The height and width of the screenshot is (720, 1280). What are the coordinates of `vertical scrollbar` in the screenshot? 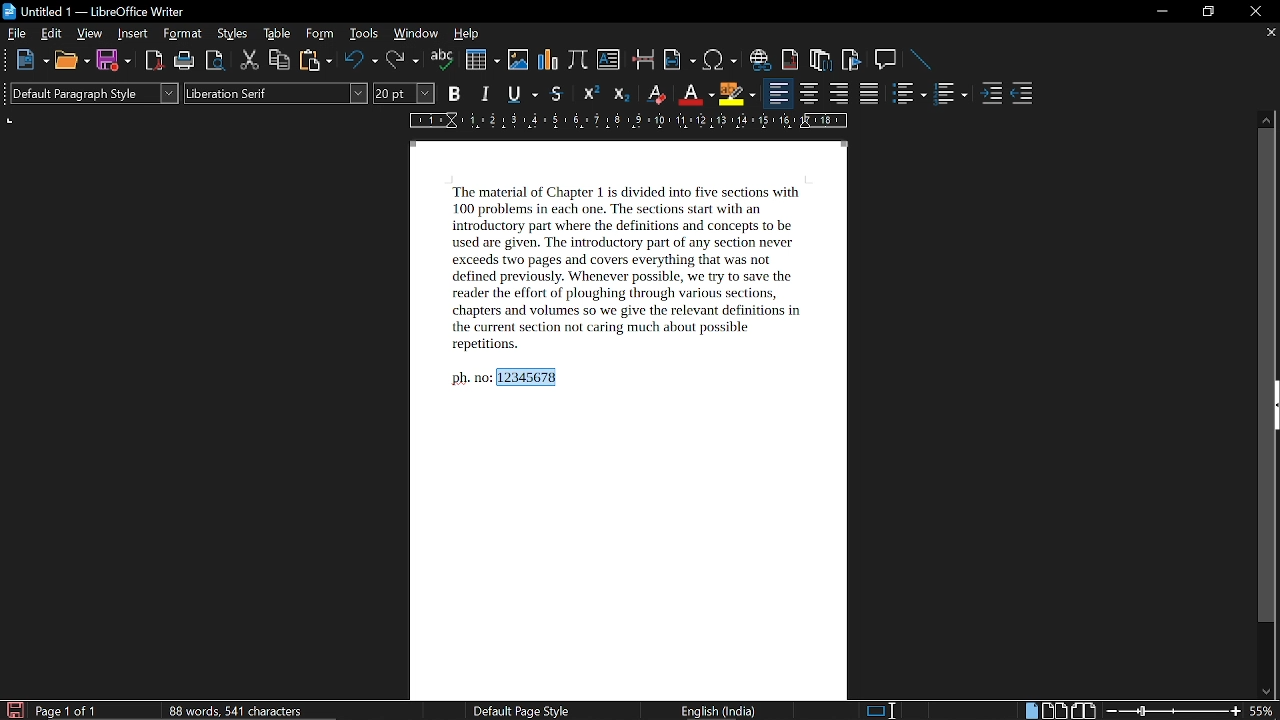 It's located at (1266, 376).